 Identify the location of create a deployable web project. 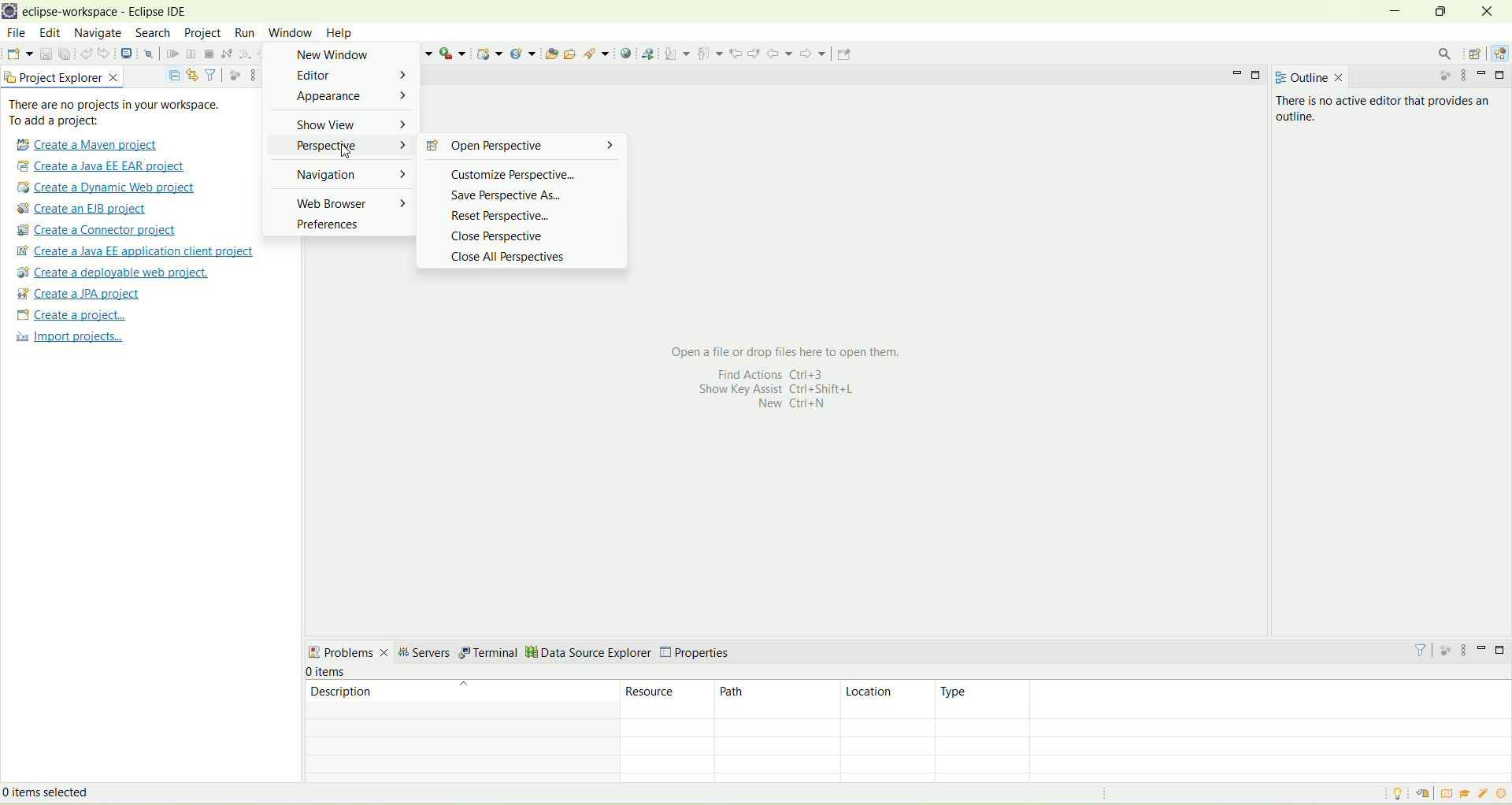
(111, 273).